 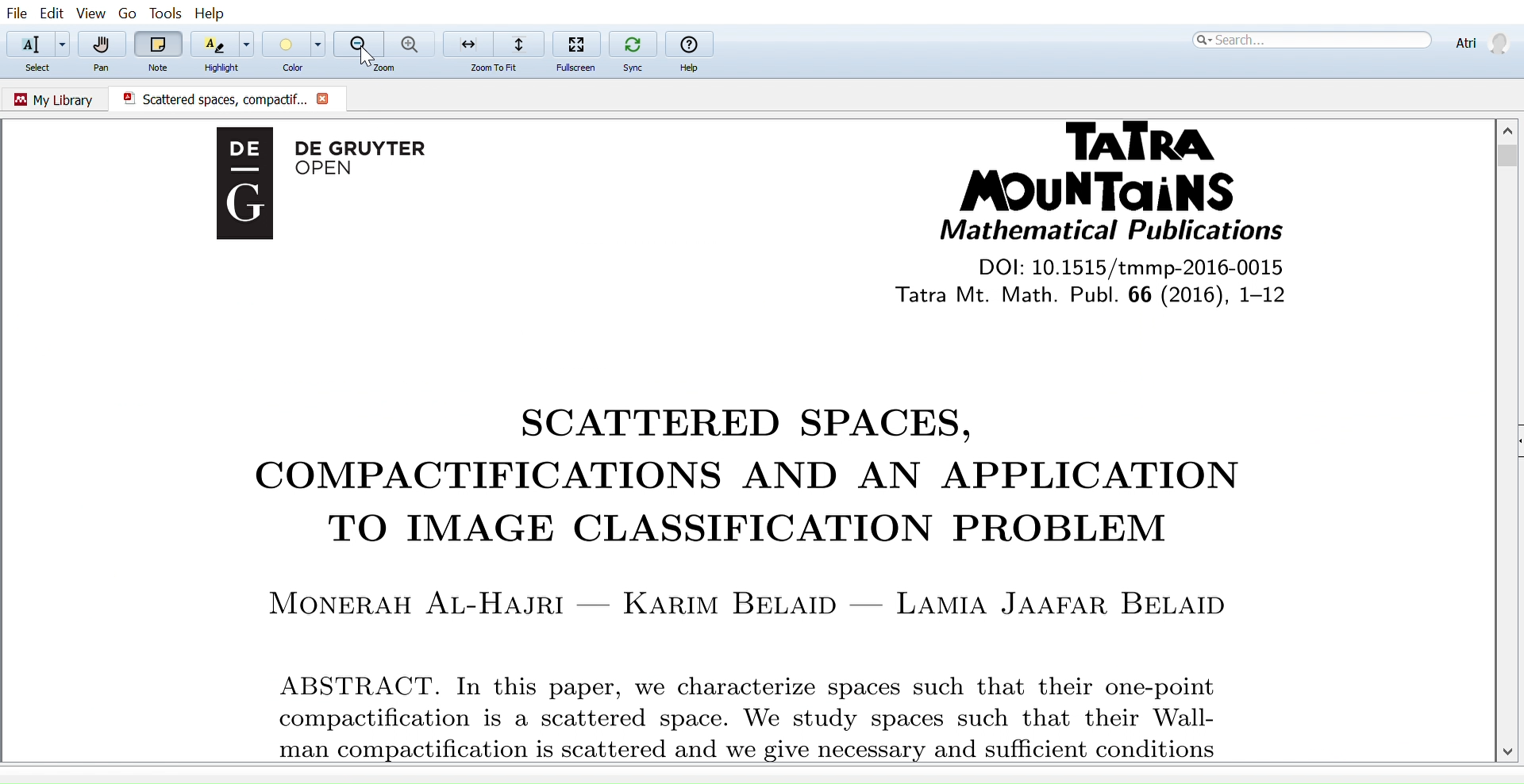 What do you see at coordinates (1133, 267) in the screenshot?
I see `DOI: 10.1515/tmmp-2016-0015` at bounding box center [1133, 267].